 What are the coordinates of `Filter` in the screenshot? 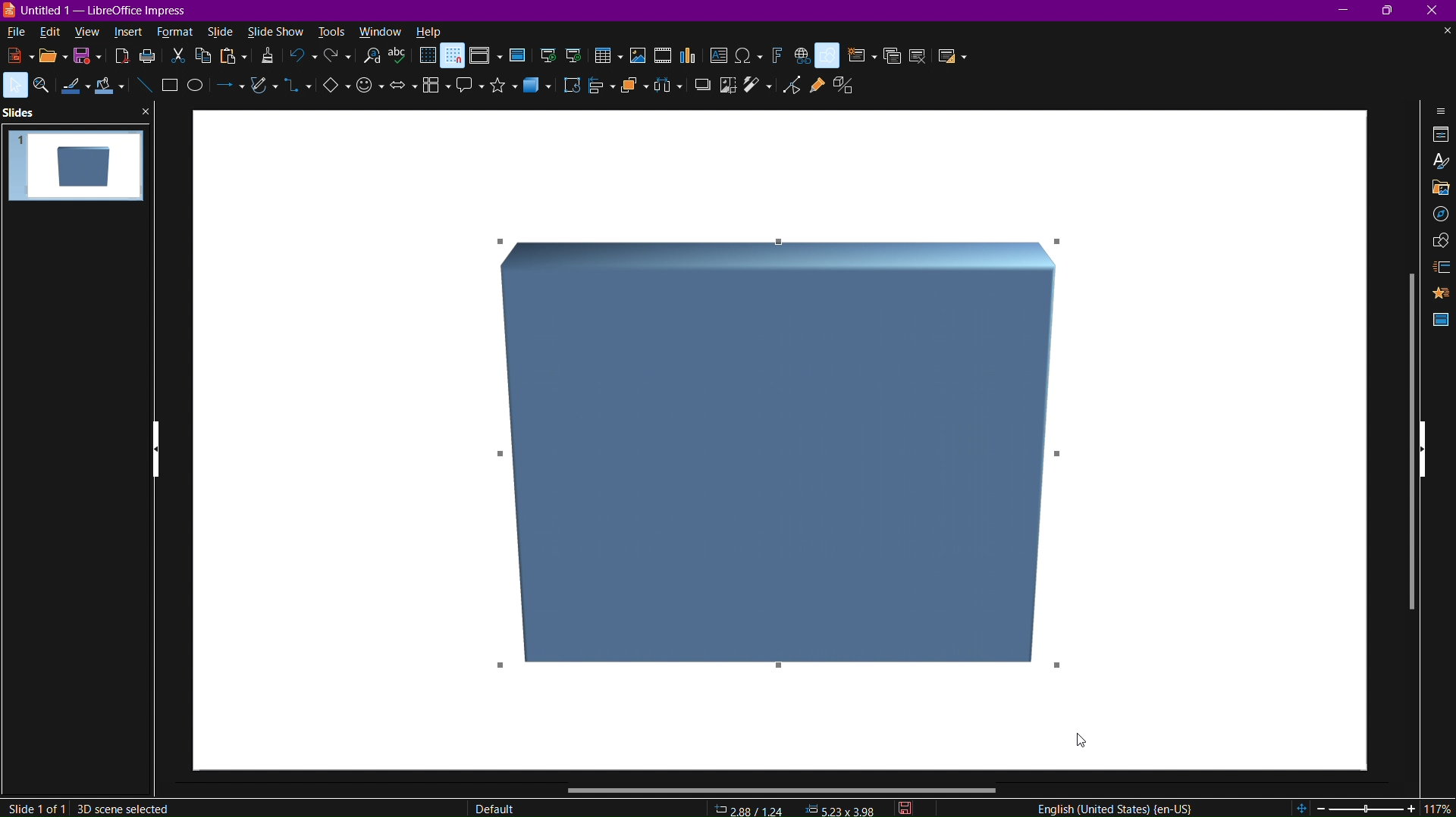 It's located at (761, 88).